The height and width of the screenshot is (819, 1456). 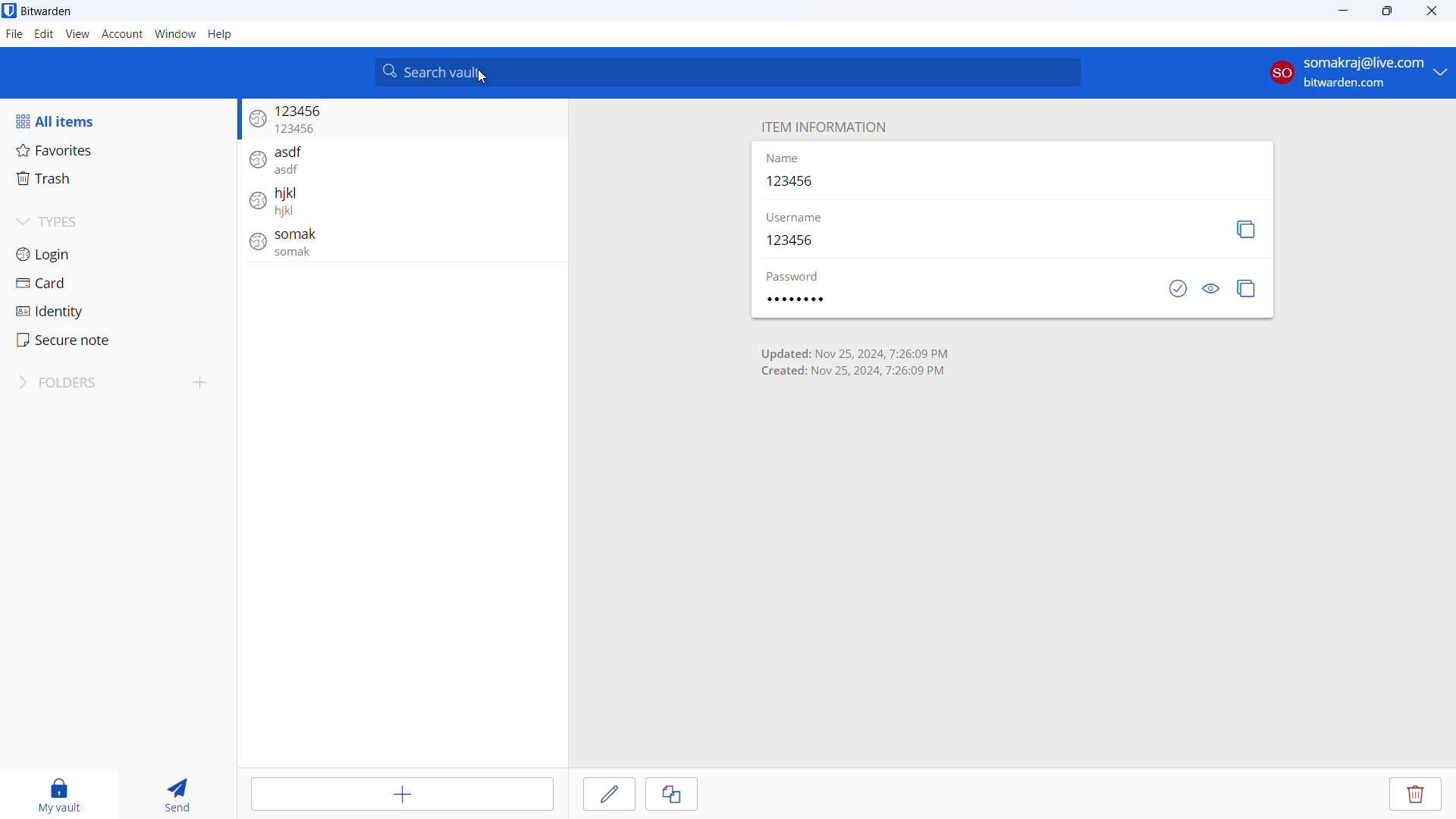 I want to click on help, so click(x=221, y=34).